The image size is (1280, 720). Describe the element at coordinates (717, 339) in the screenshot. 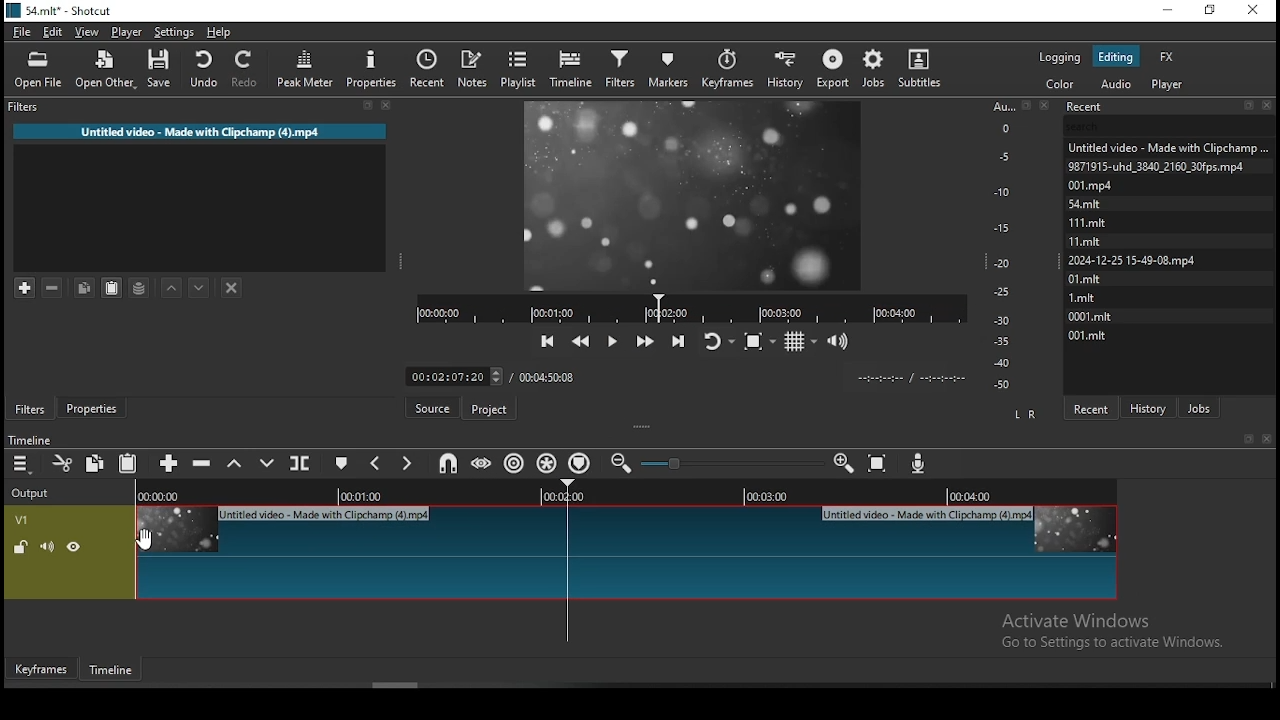

I see `toggle player looping` at that location.